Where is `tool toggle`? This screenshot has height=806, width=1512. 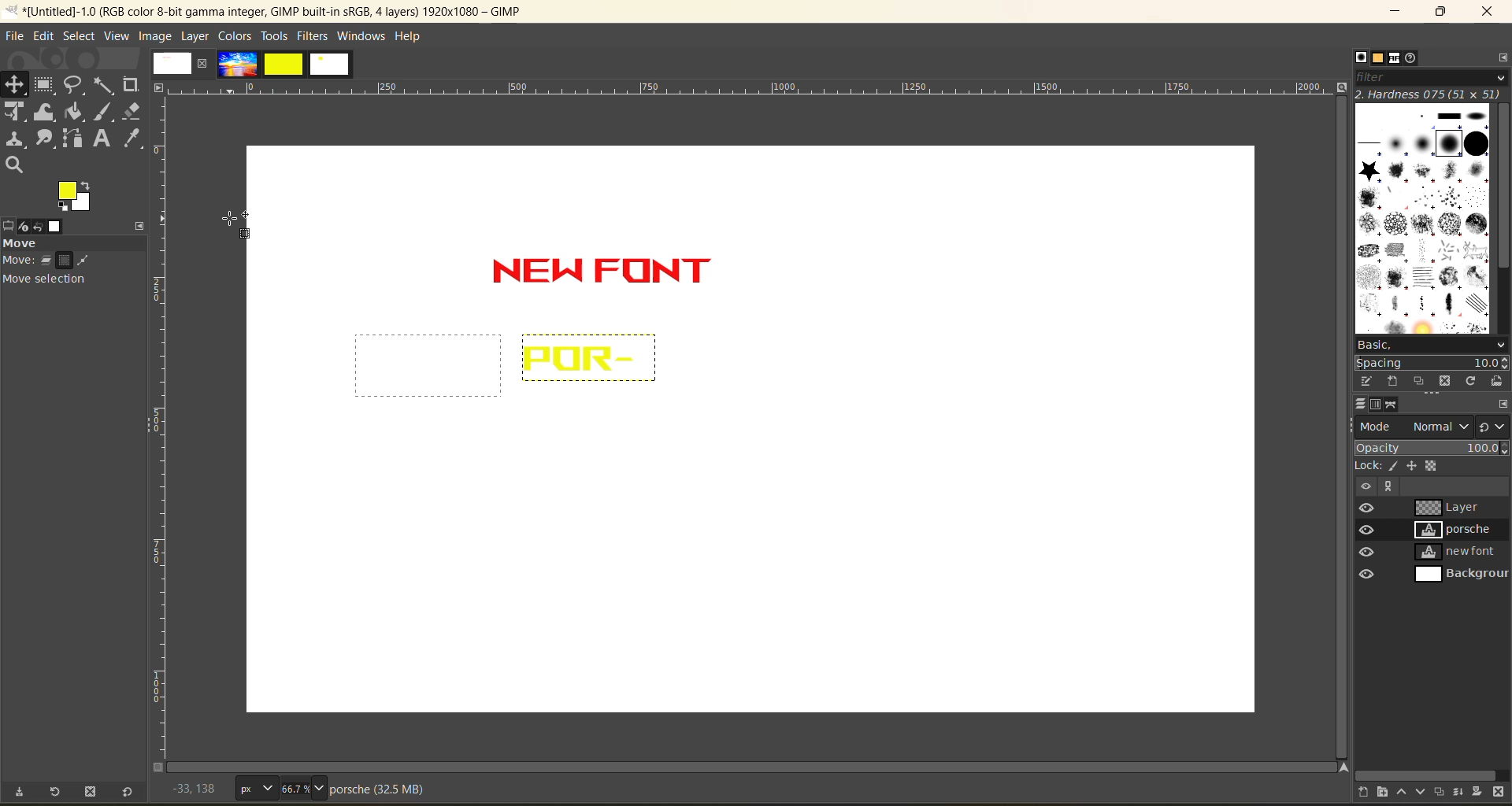
tool toggle is located at coordinates (71, 314).